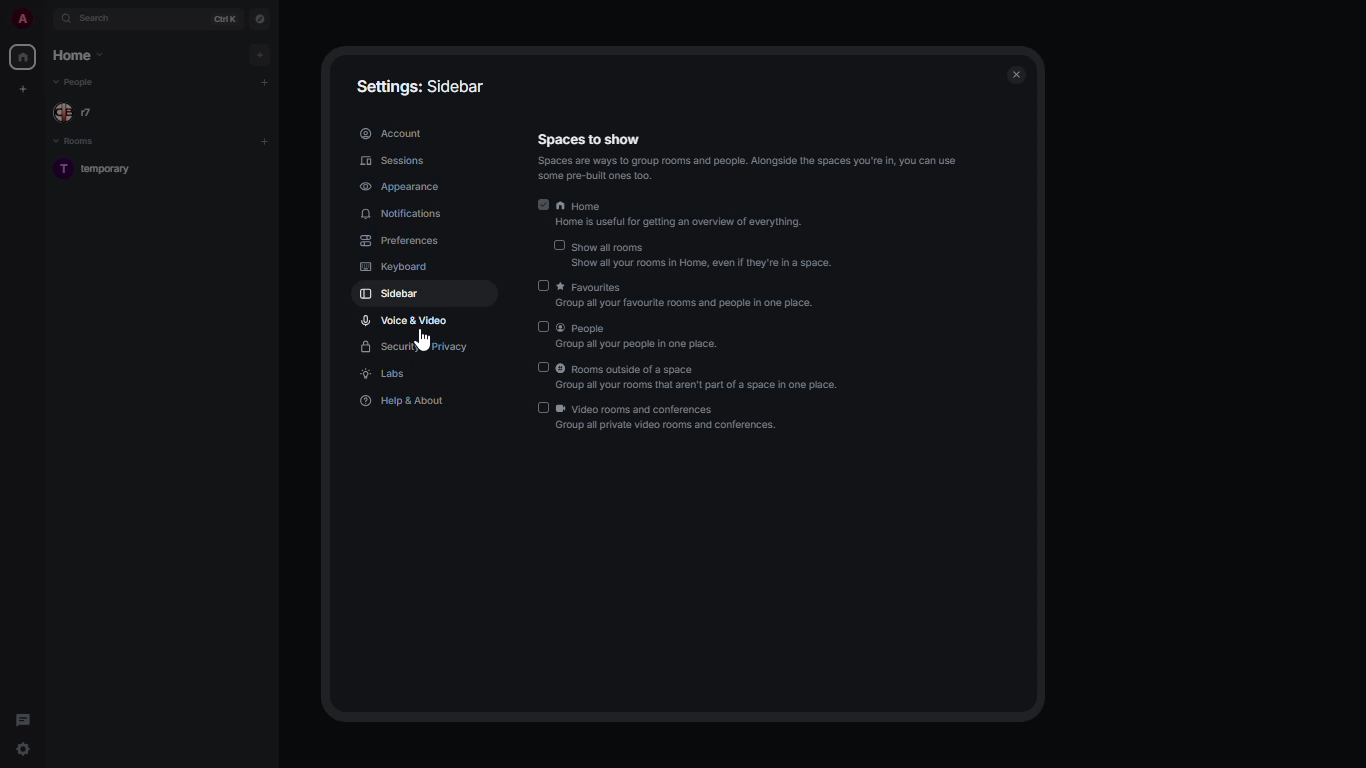  What do you see at coordinates (1014, 74) in the screenshot?
I see `close` at bounding box center [1014, 74].